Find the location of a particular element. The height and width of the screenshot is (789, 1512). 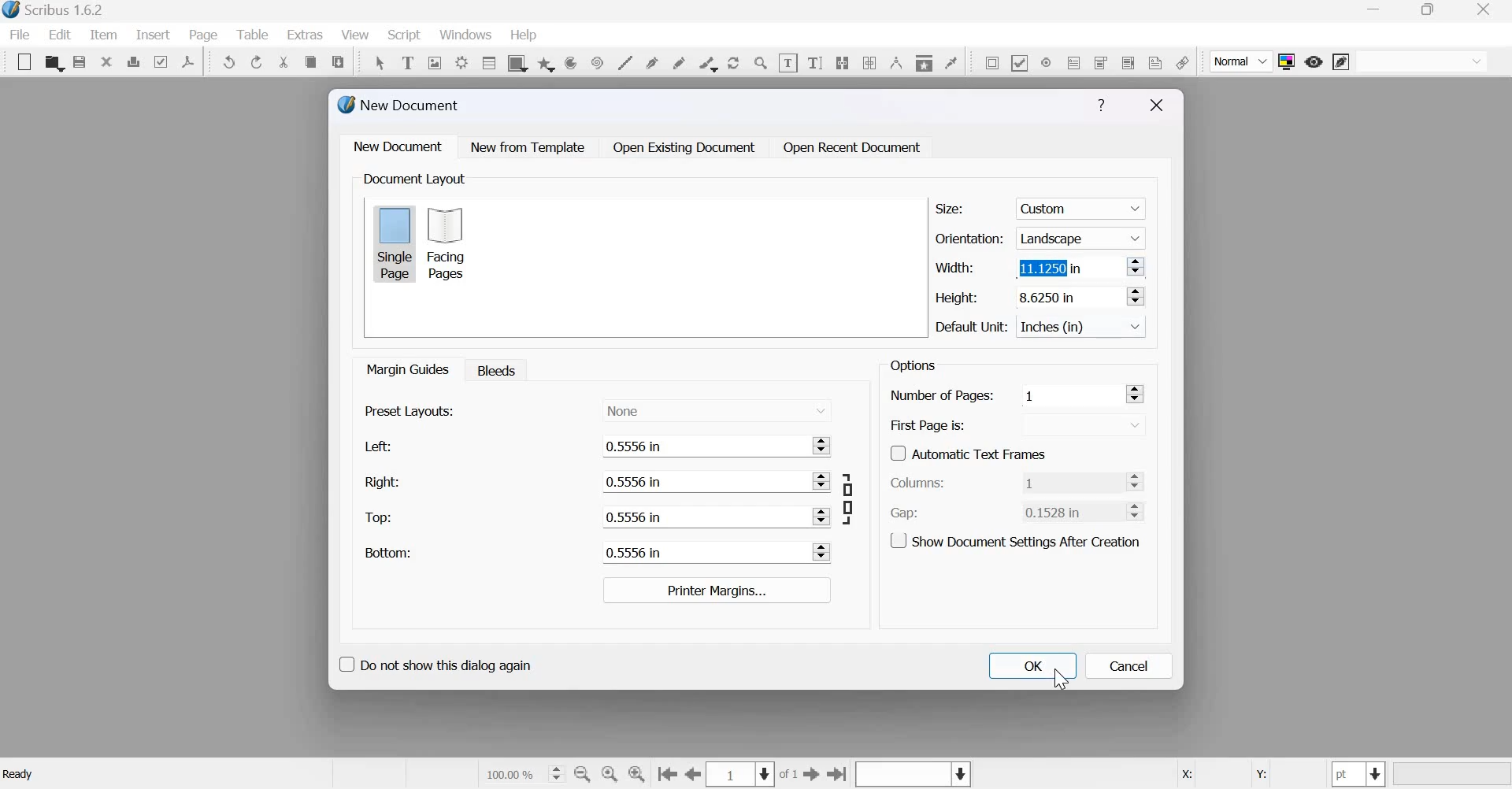

Increase and Decrease is located at coordinates (1135, 296).